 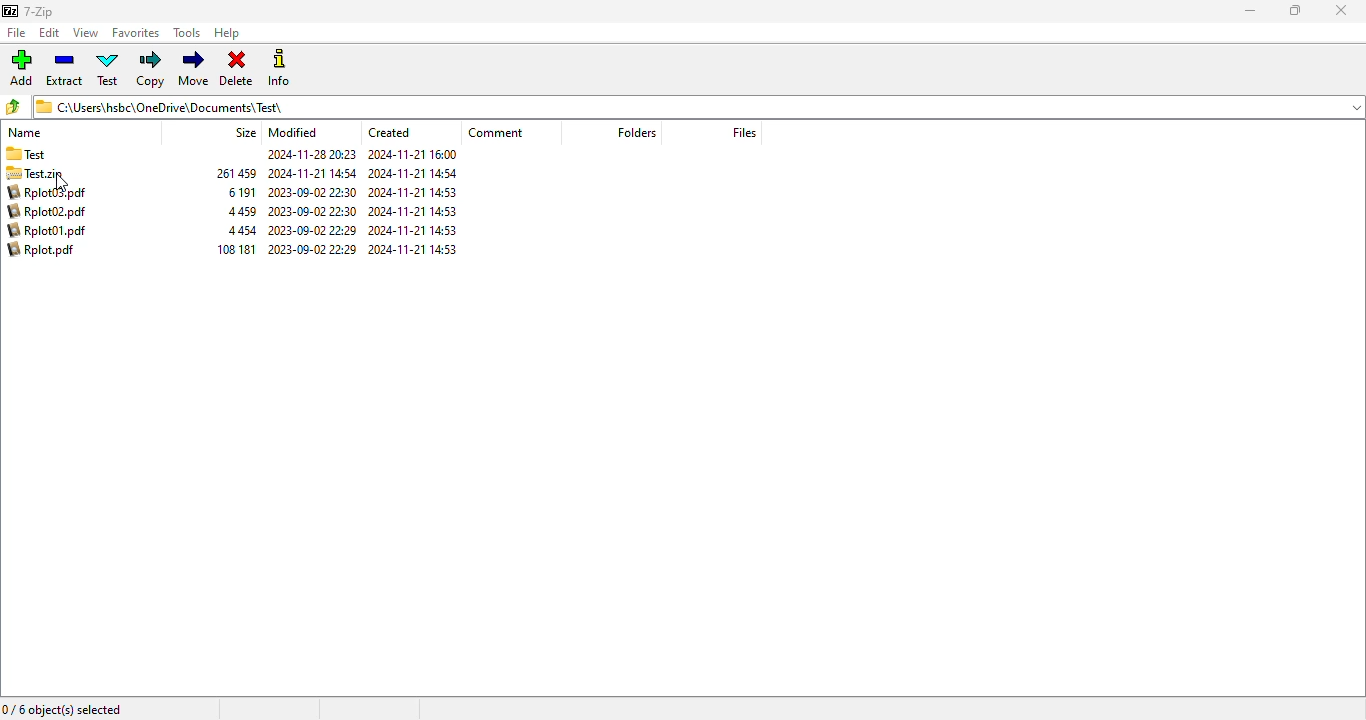 What do you see at coordinates (294, 132) in the screenshot?
I see `modified` at bounding box center [294, 132].